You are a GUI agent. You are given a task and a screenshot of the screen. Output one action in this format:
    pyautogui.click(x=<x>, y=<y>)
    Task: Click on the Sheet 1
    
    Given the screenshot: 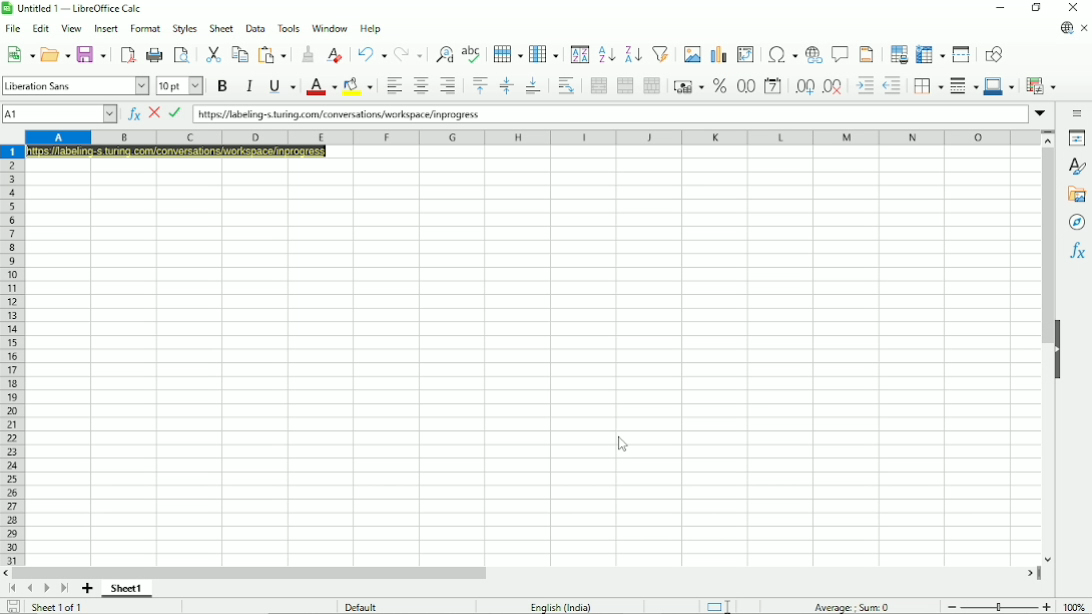 What is the action you would take?
    pyautogui.click(x=127, y=588)
    